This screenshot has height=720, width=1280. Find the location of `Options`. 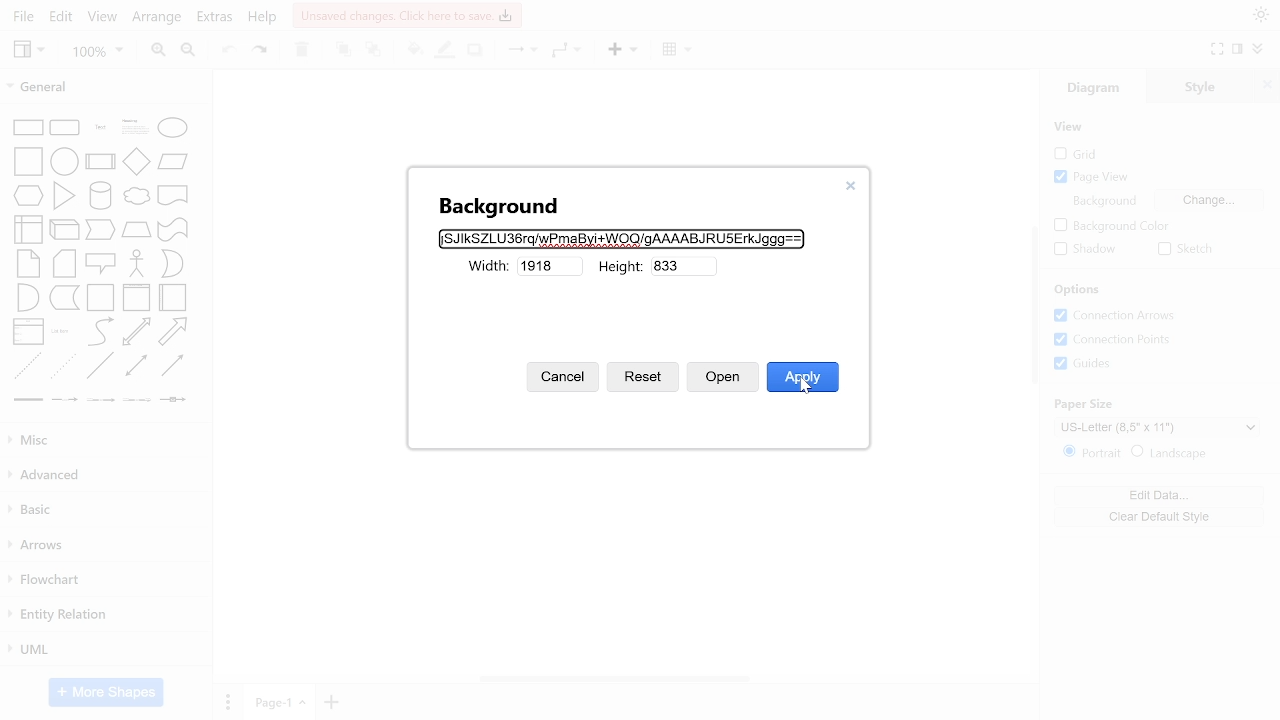

Options is located at coordinates (1078, 290).